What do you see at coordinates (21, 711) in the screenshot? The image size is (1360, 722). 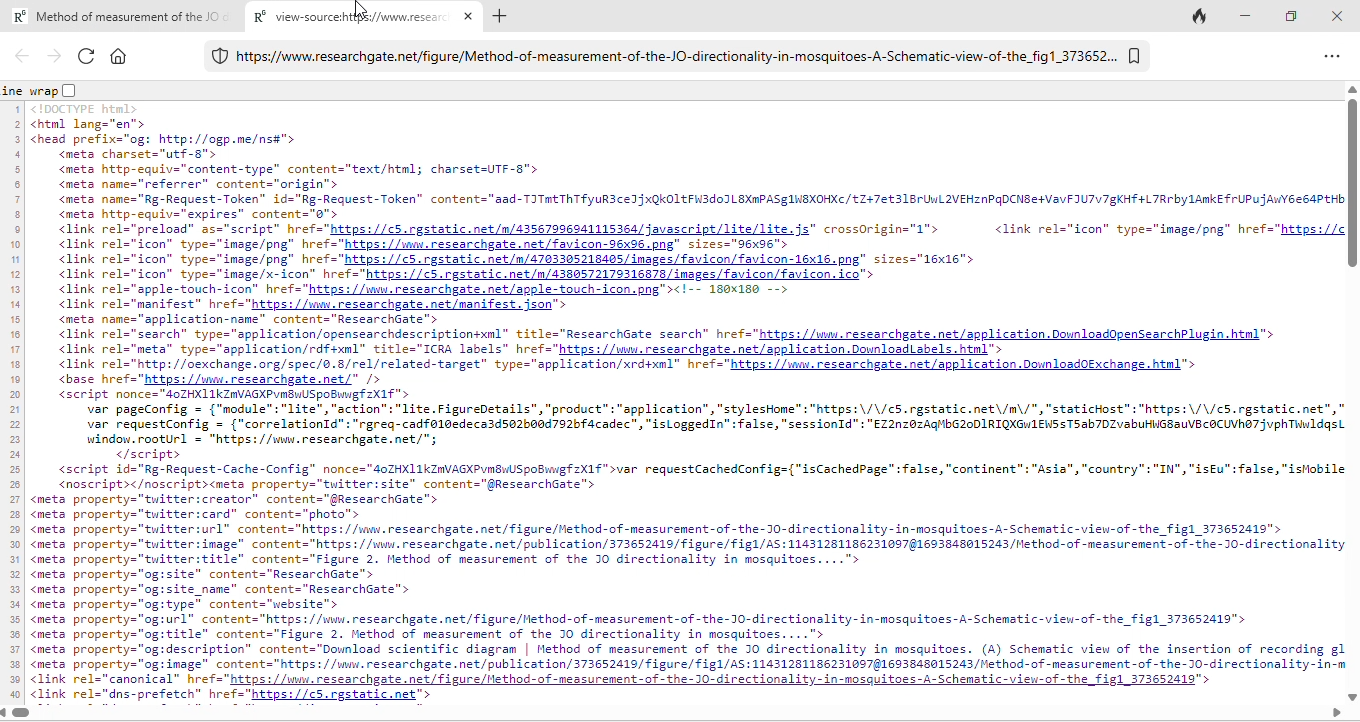 I see `horizontal scrollbar` at bounding box center [21, 711].